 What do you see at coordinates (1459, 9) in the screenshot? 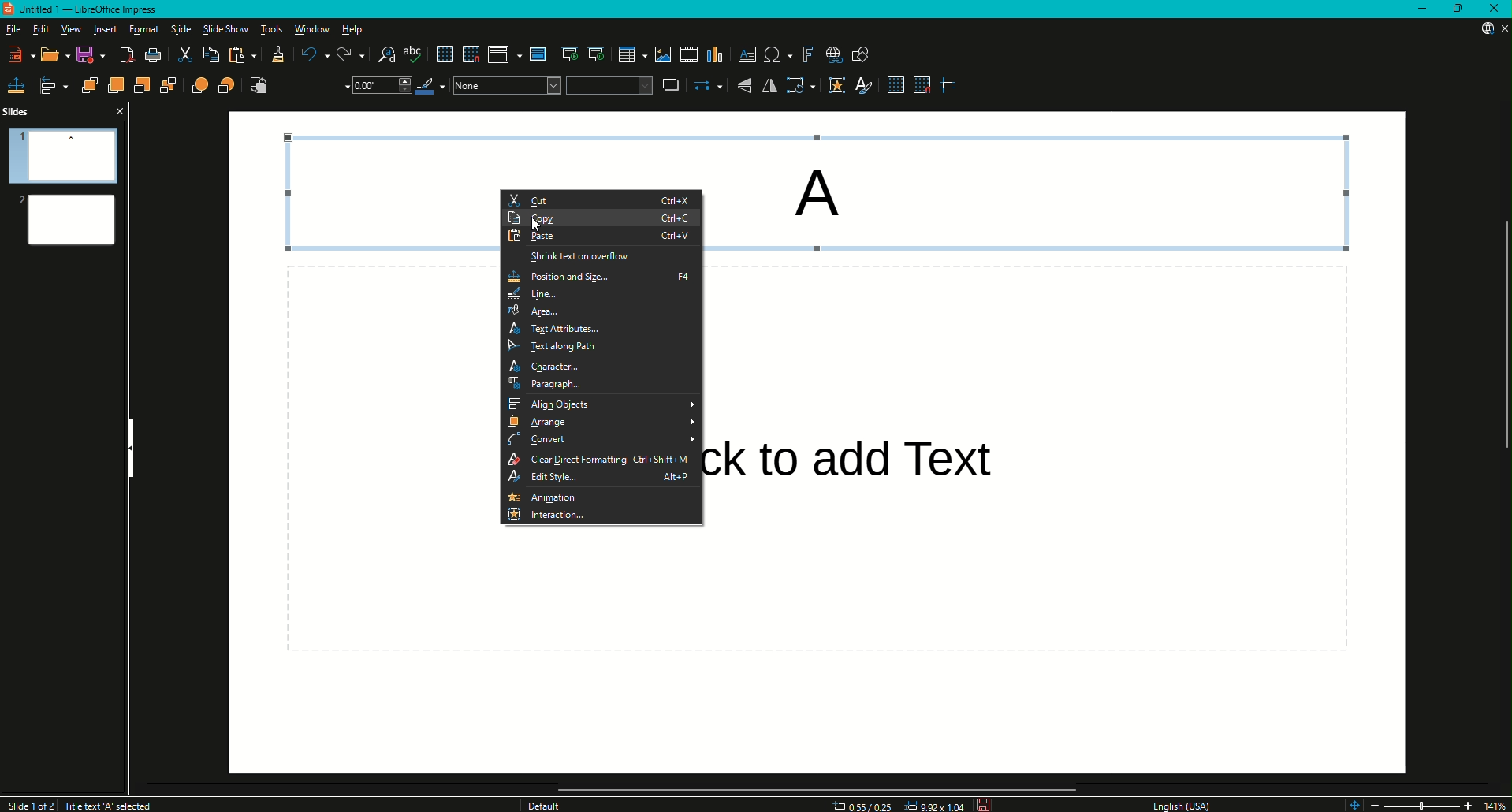
I see `Restore` at bounding box center [1459, 9].